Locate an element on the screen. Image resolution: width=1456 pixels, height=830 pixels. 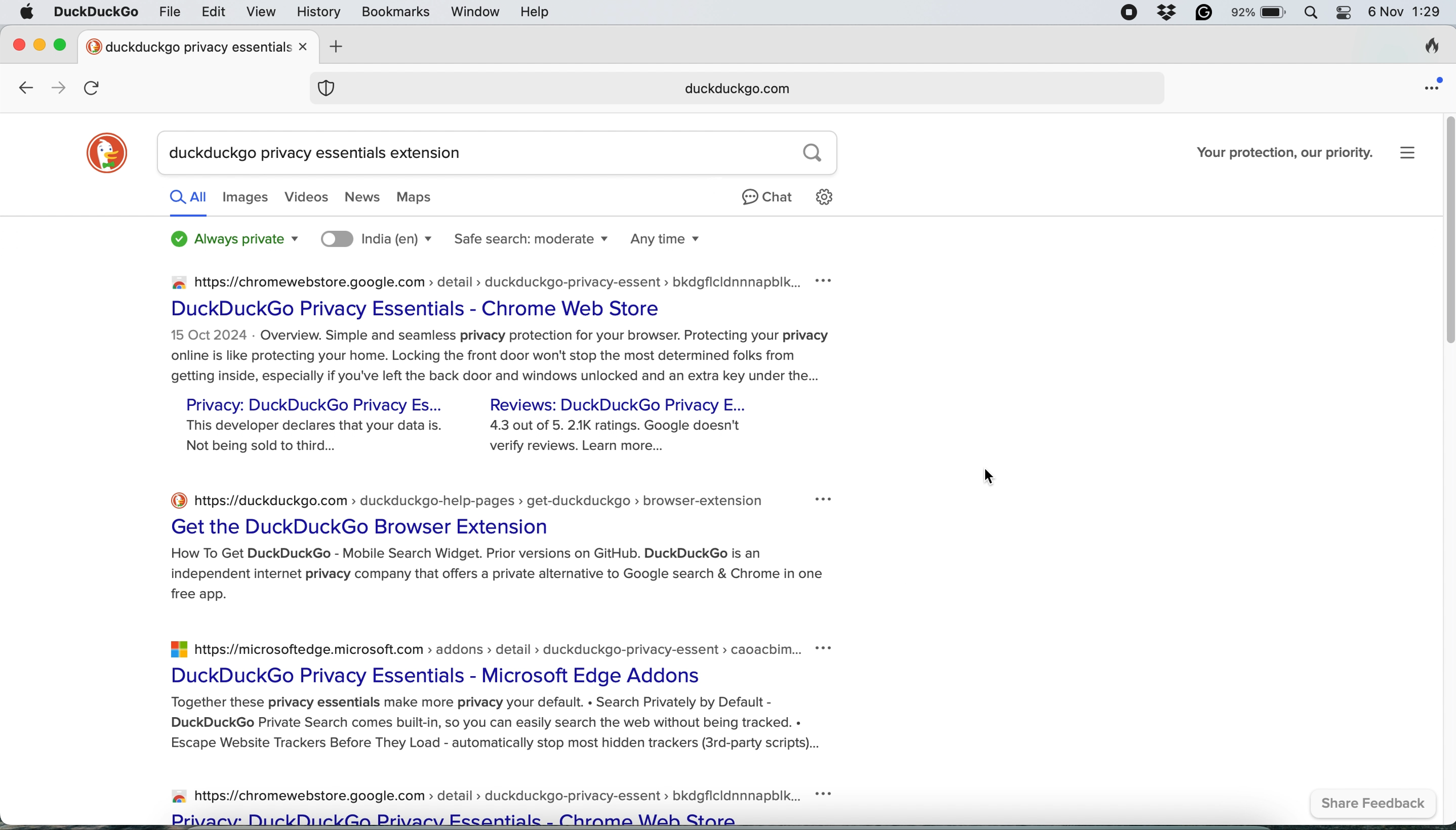
news is located at coordinates (360, 197).